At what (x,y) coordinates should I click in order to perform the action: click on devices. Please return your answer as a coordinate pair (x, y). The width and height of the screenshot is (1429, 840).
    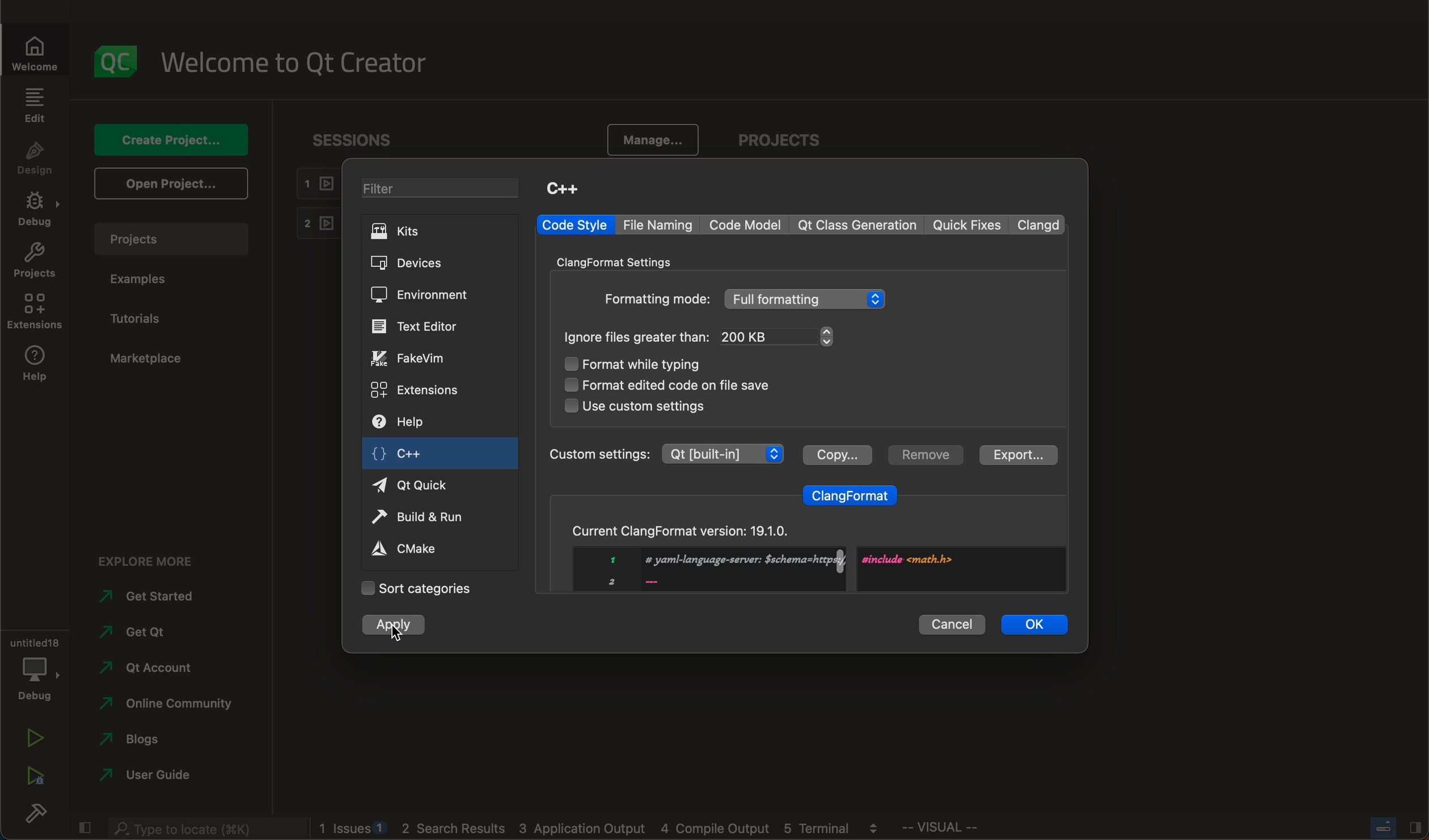
    Looking at the image, I should click on (421, 264).